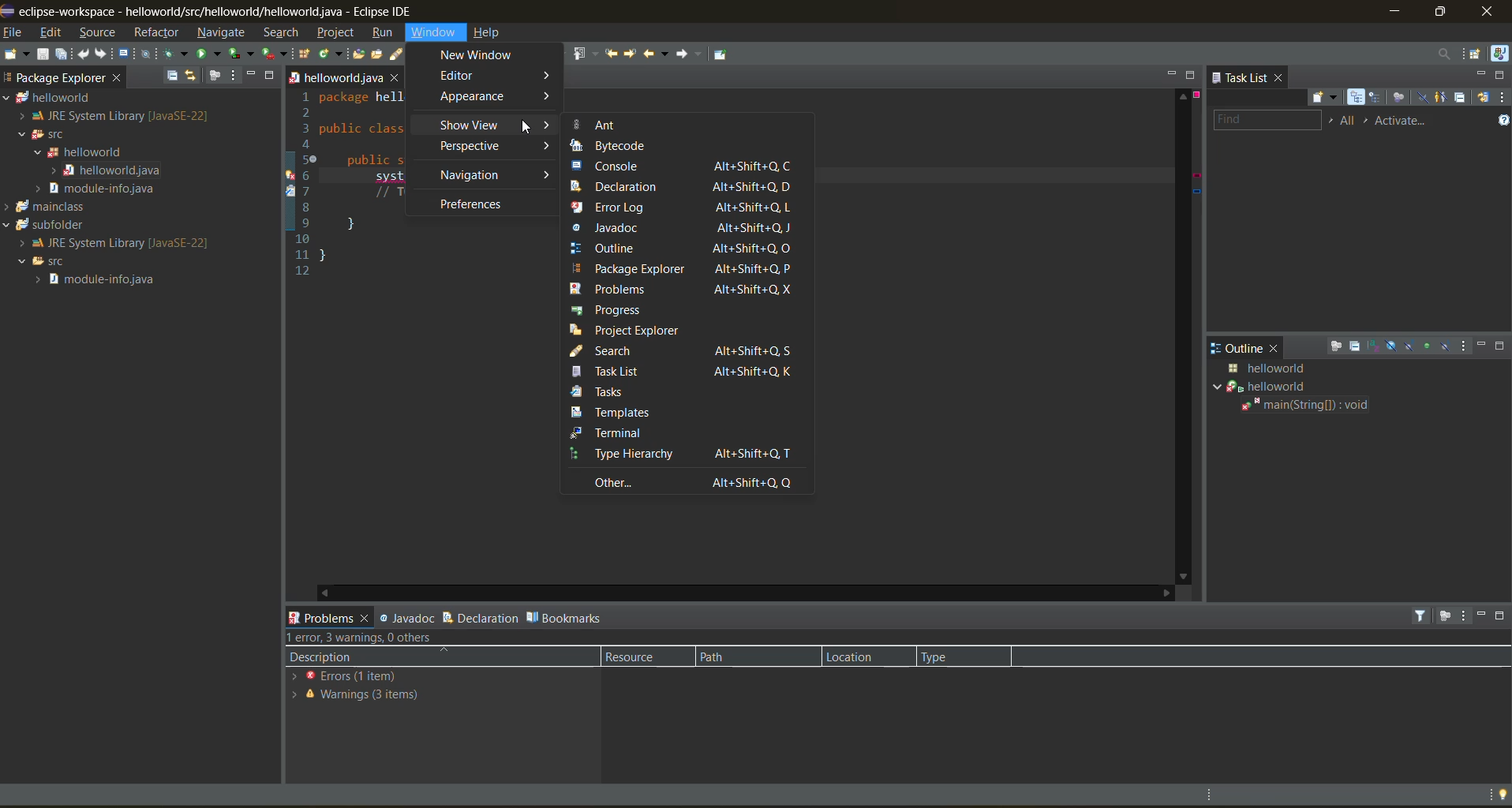 Image resolution: width=1512 pixels, height=808 pixels. I want to click on outline, so click(1240, 348).